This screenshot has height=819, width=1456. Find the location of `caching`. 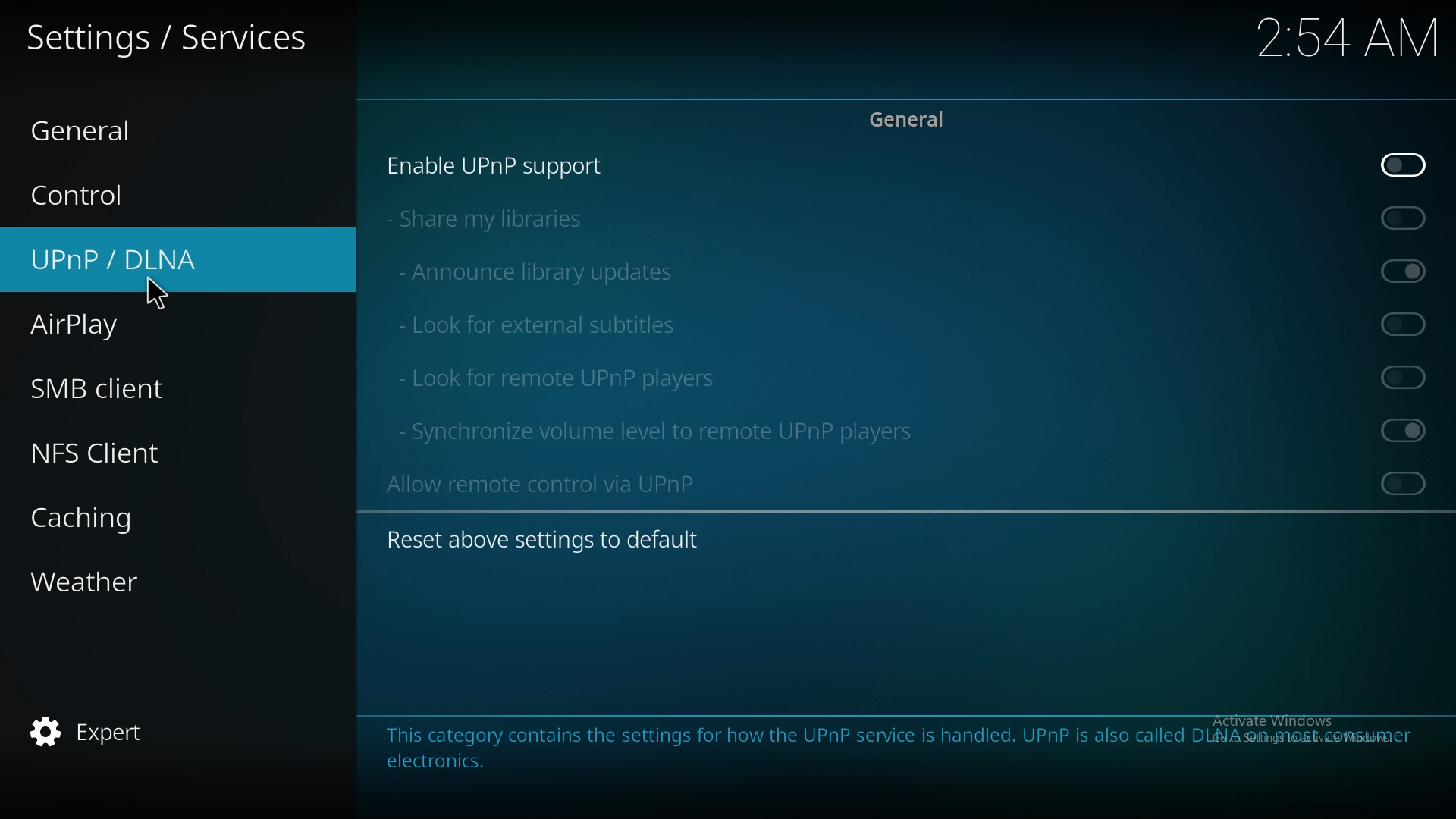

caching is located at coordinates (101, 516).